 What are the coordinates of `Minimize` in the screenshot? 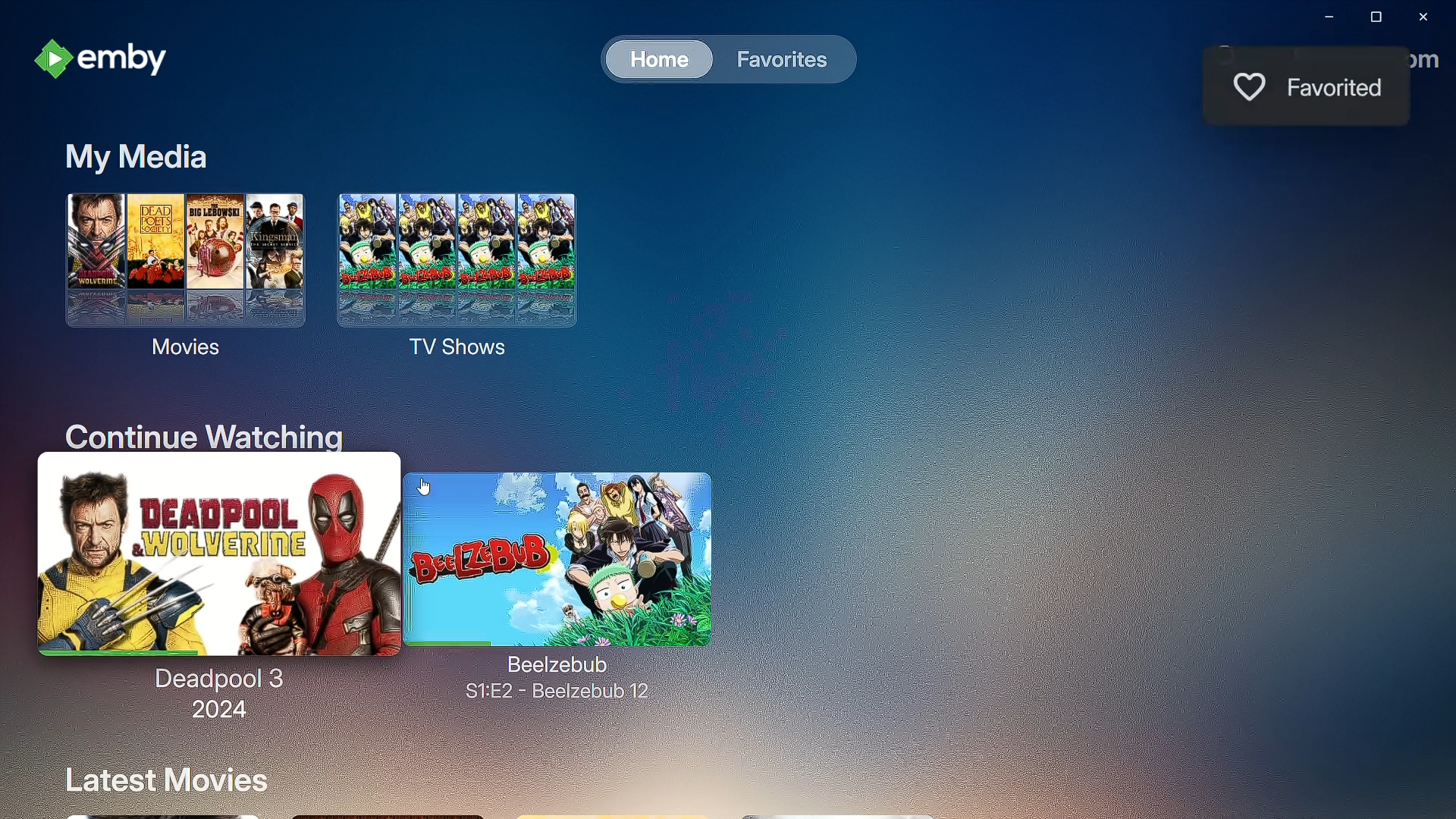 It's located at (1319, 20).